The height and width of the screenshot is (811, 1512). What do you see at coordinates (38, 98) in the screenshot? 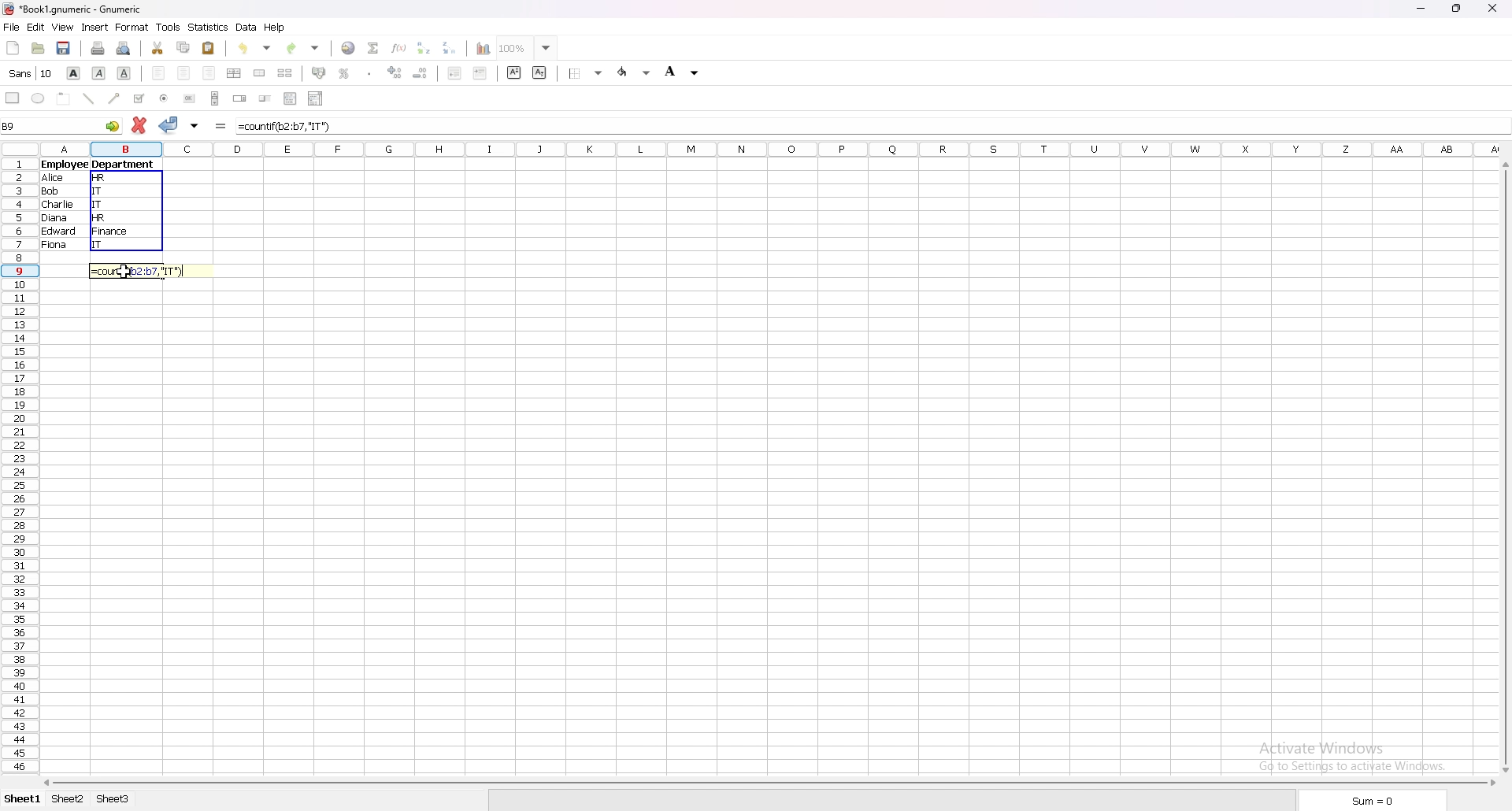
I see `ellipse` at bounding box center [38, 98].